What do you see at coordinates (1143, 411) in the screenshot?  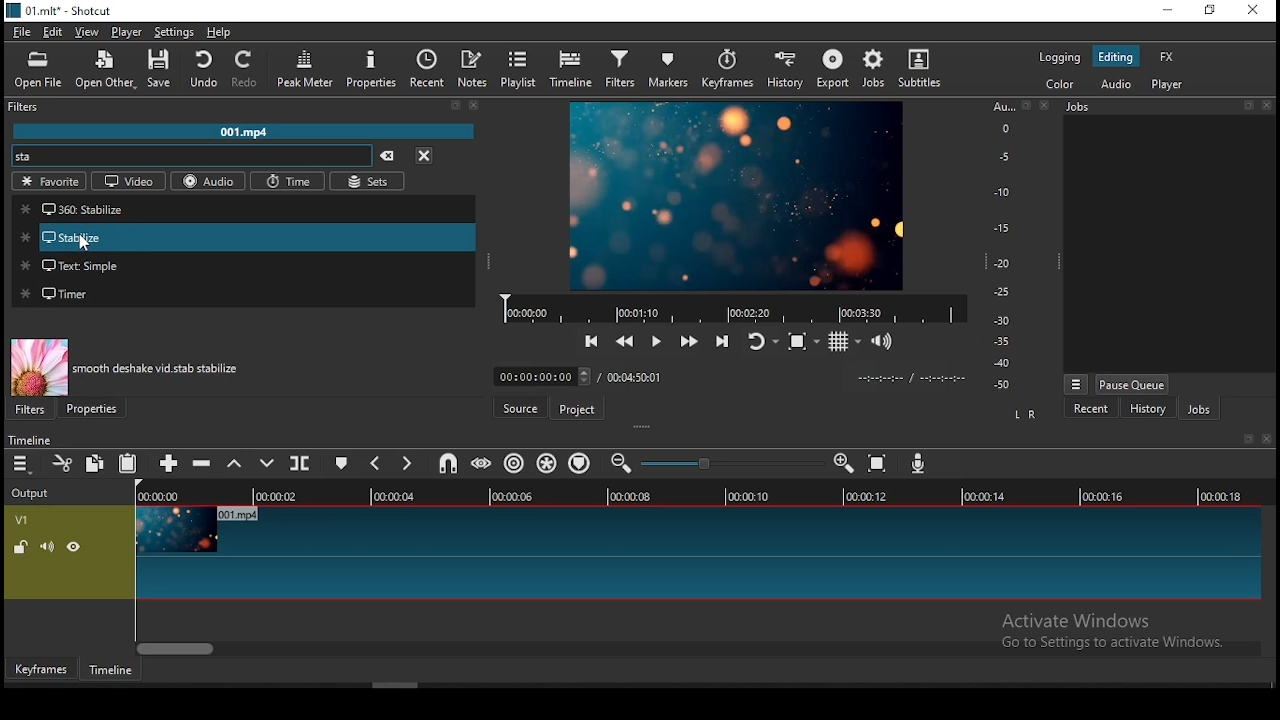 I see `history` at bounding box center [1143, 411].